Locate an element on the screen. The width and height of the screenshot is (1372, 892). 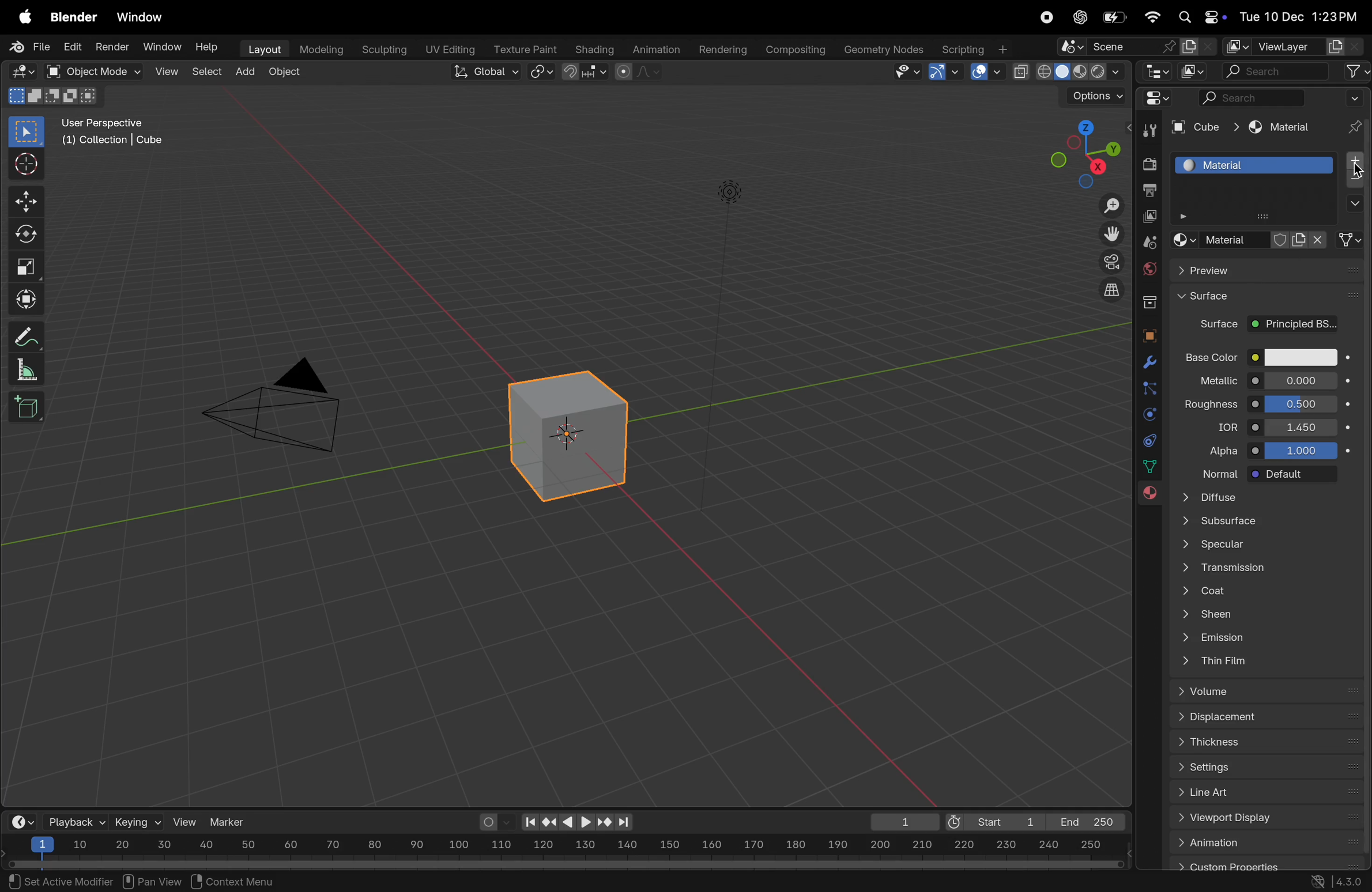
¥) set Active Modifier is located at coordinates (54, 880).